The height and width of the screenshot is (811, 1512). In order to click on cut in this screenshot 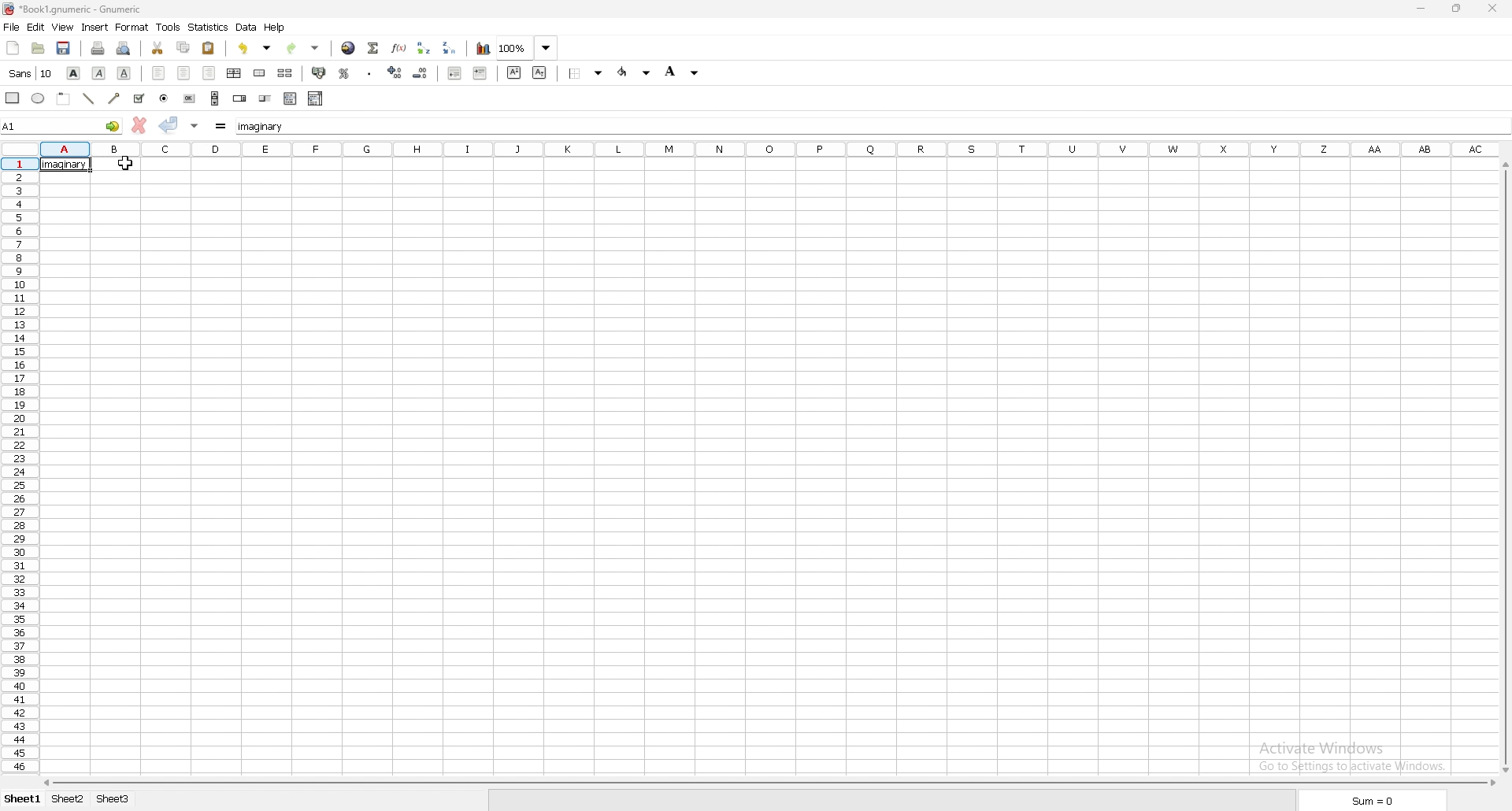, I will do `click(157, 48)`.